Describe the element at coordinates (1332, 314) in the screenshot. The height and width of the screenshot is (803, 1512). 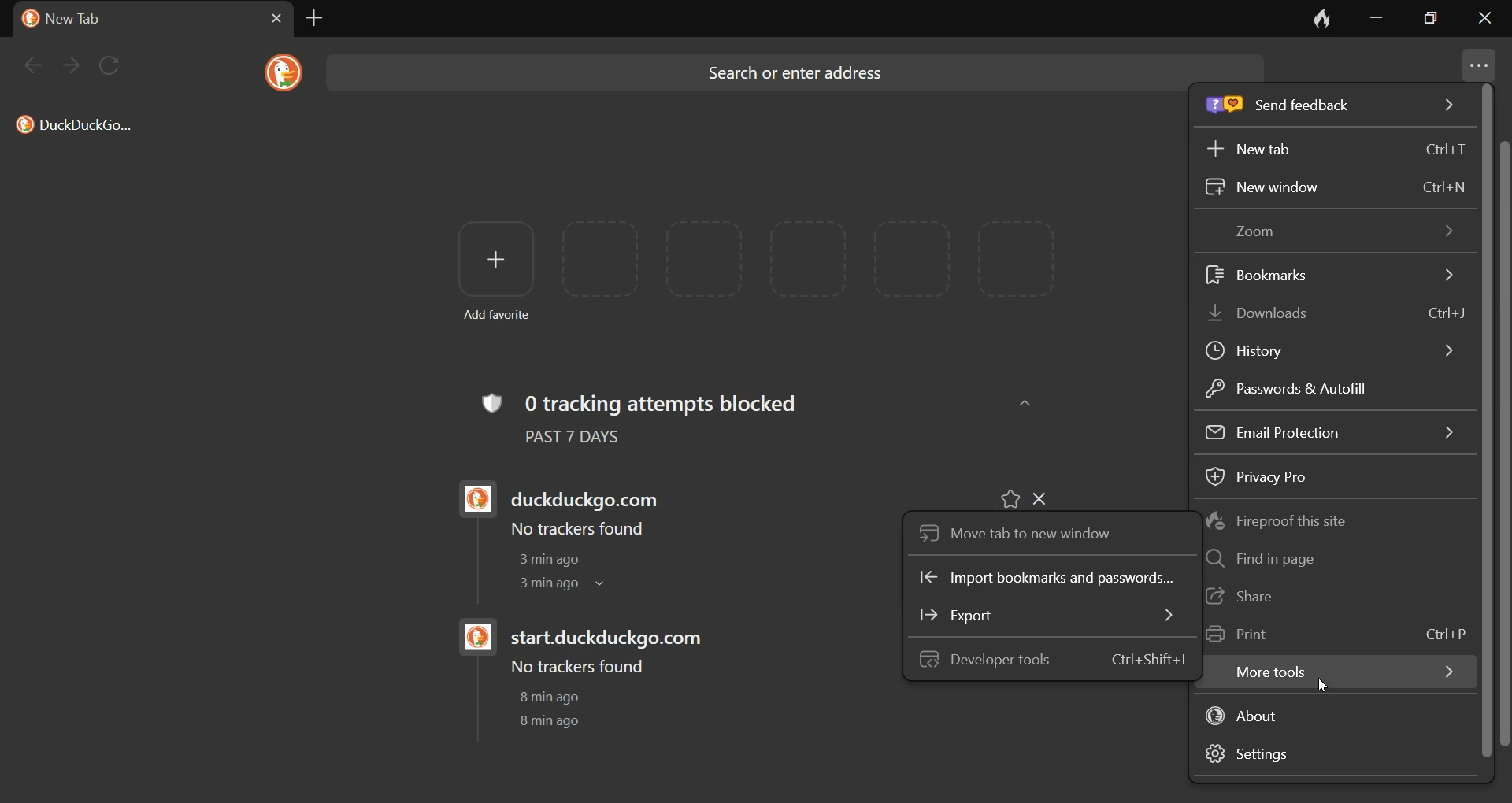
I see `Downloads` at that location.